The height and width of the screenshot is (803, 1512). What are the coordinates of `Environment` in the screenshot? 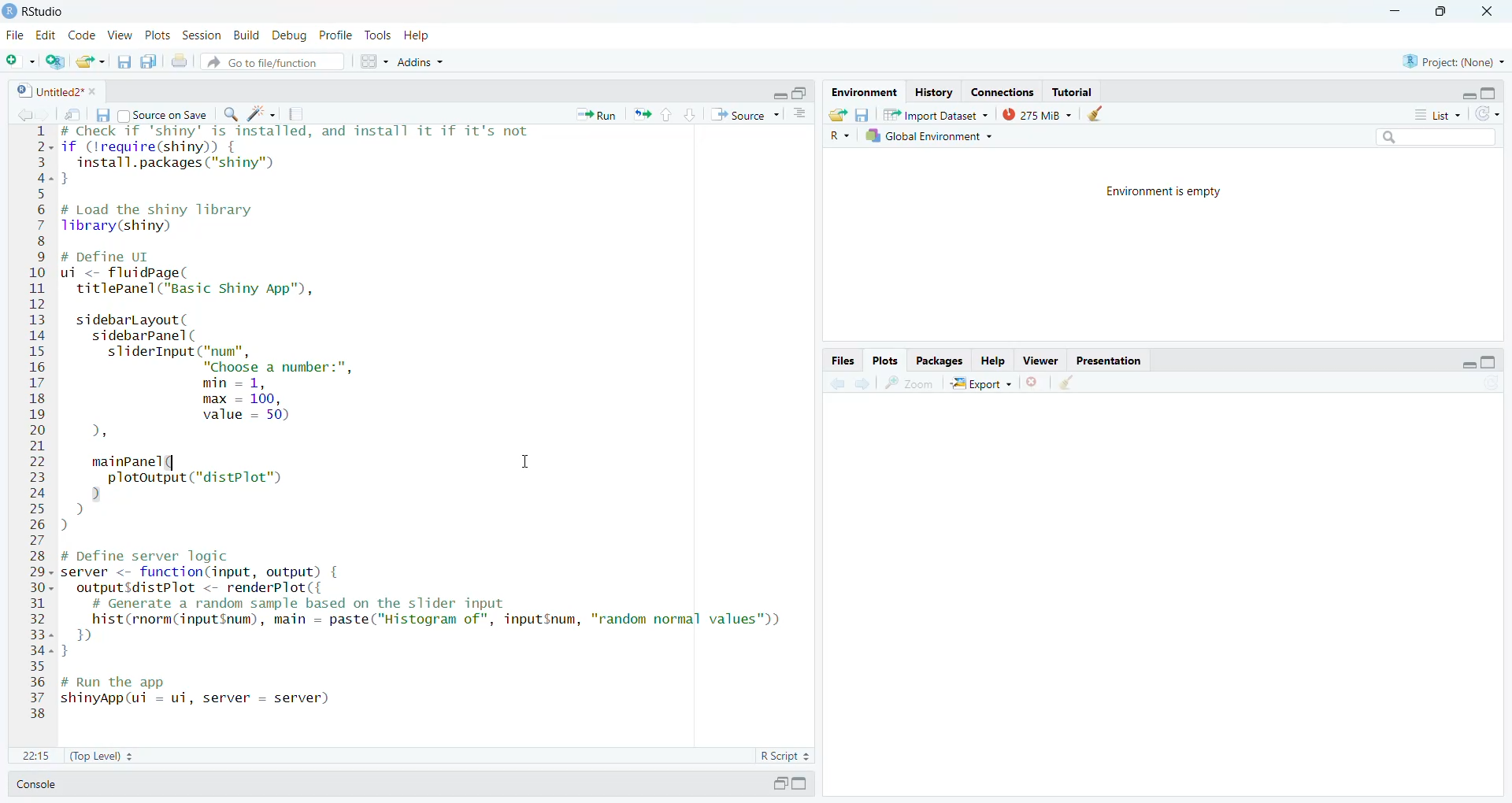 It's located at (865, 92).